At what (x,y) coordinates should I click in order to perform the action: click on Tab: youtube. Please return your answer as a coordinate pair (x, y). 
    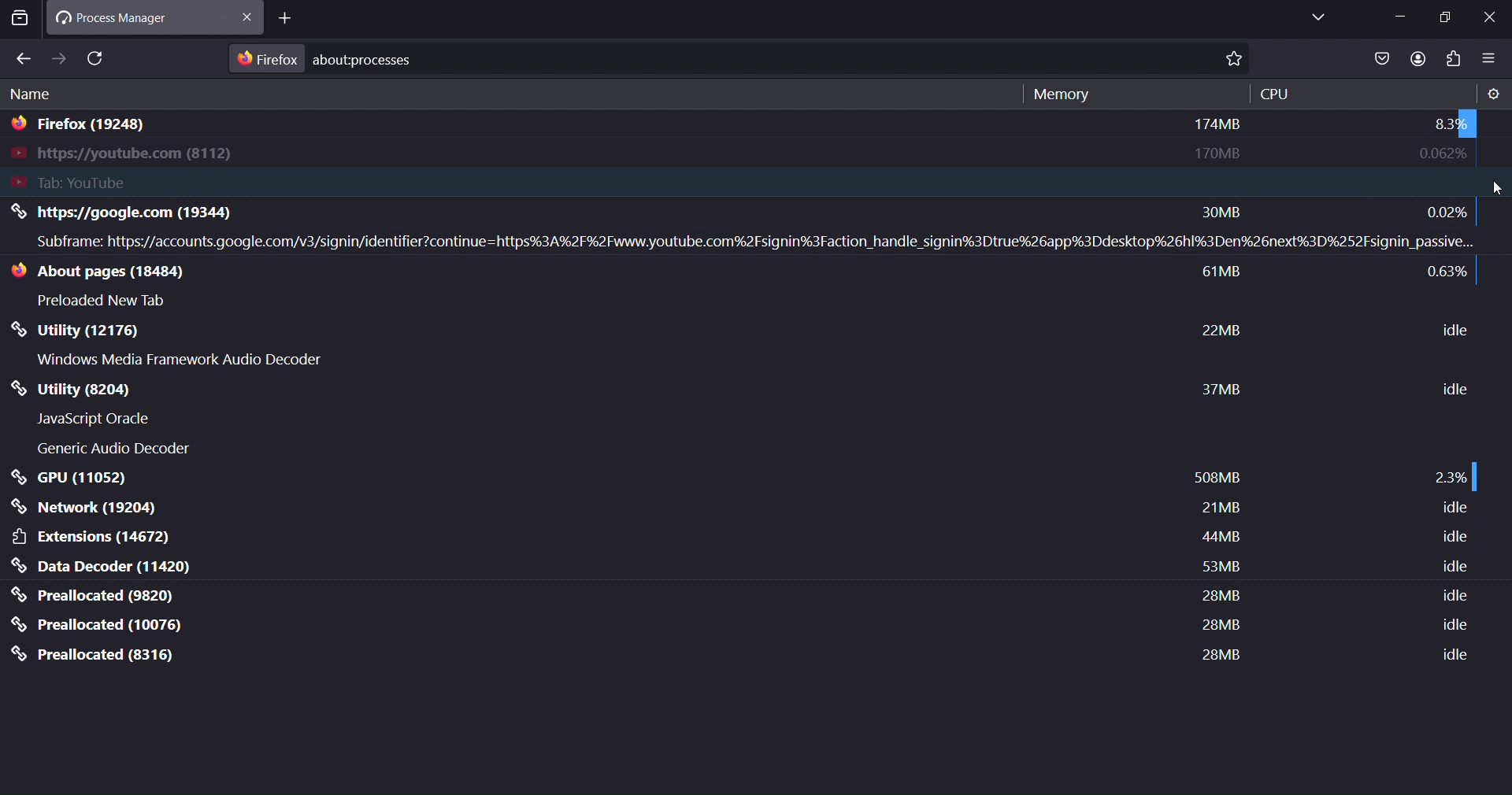
    Looking at the image, I should click on (174, 182).